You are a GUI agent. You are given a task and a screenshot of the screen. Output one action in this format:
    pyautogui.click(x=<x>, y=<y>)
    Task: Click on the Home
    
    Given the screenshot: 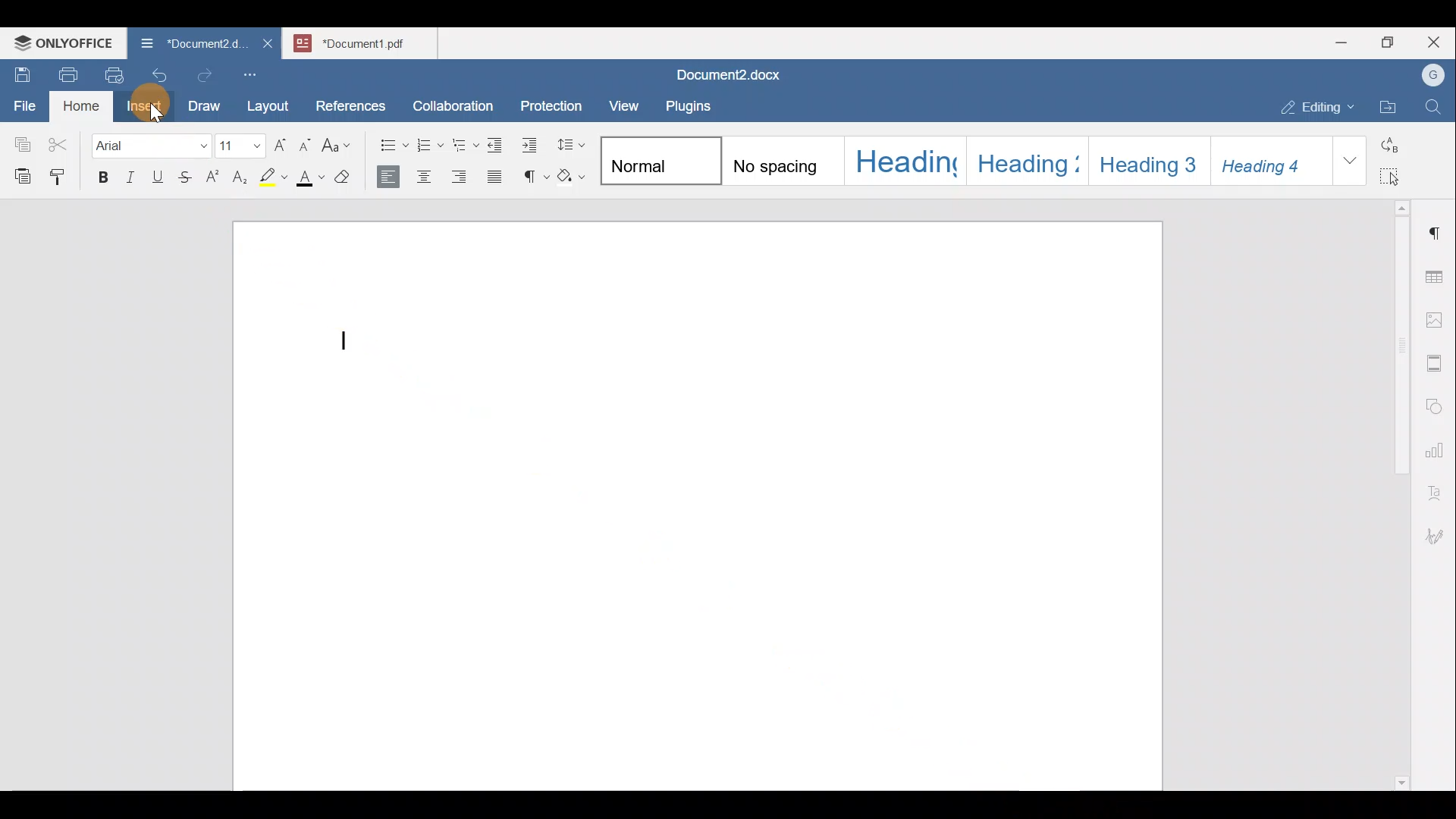 What is the action you would take?
    pyautogui.click(x=82, y=105)
    